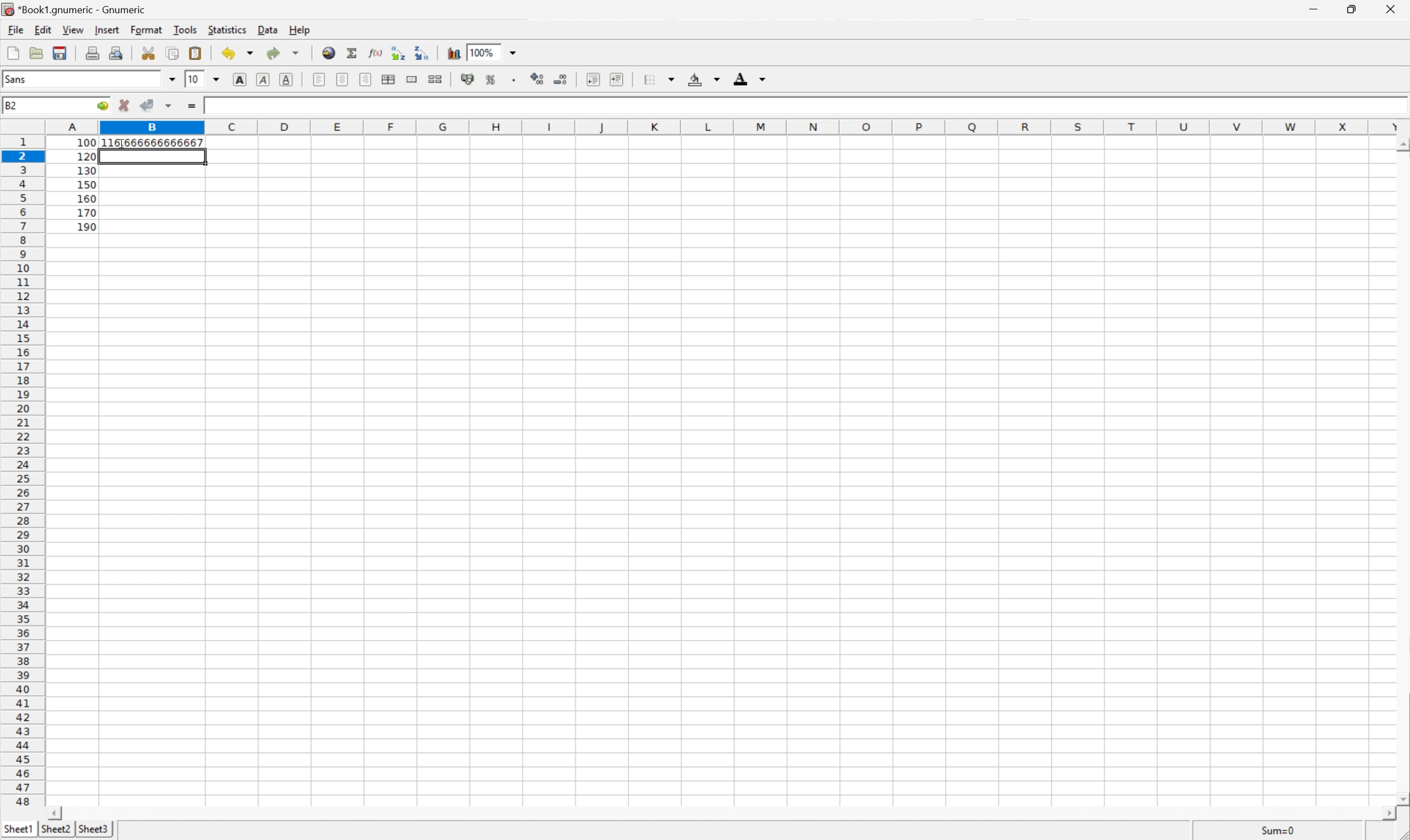 Image resolution: width=1410 pixels, height=840 pixels. What do you see at coordinates (484, 52) in the screenshot?
I see `100%` at bounding box center [484, 52].